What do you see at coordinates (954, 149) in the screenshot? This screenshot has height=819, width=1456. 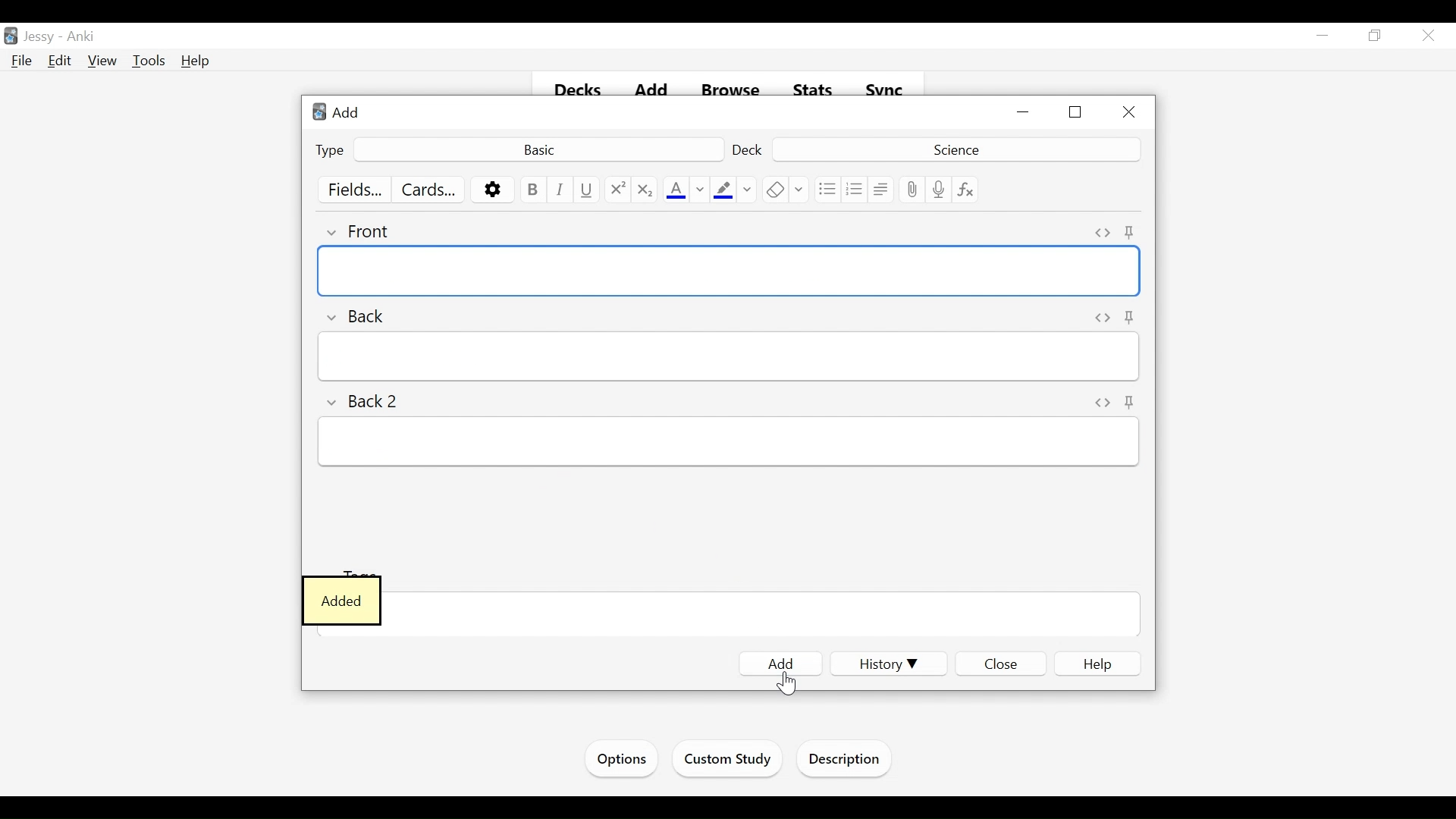 I see `Deck` at bounding box center [954, 149].